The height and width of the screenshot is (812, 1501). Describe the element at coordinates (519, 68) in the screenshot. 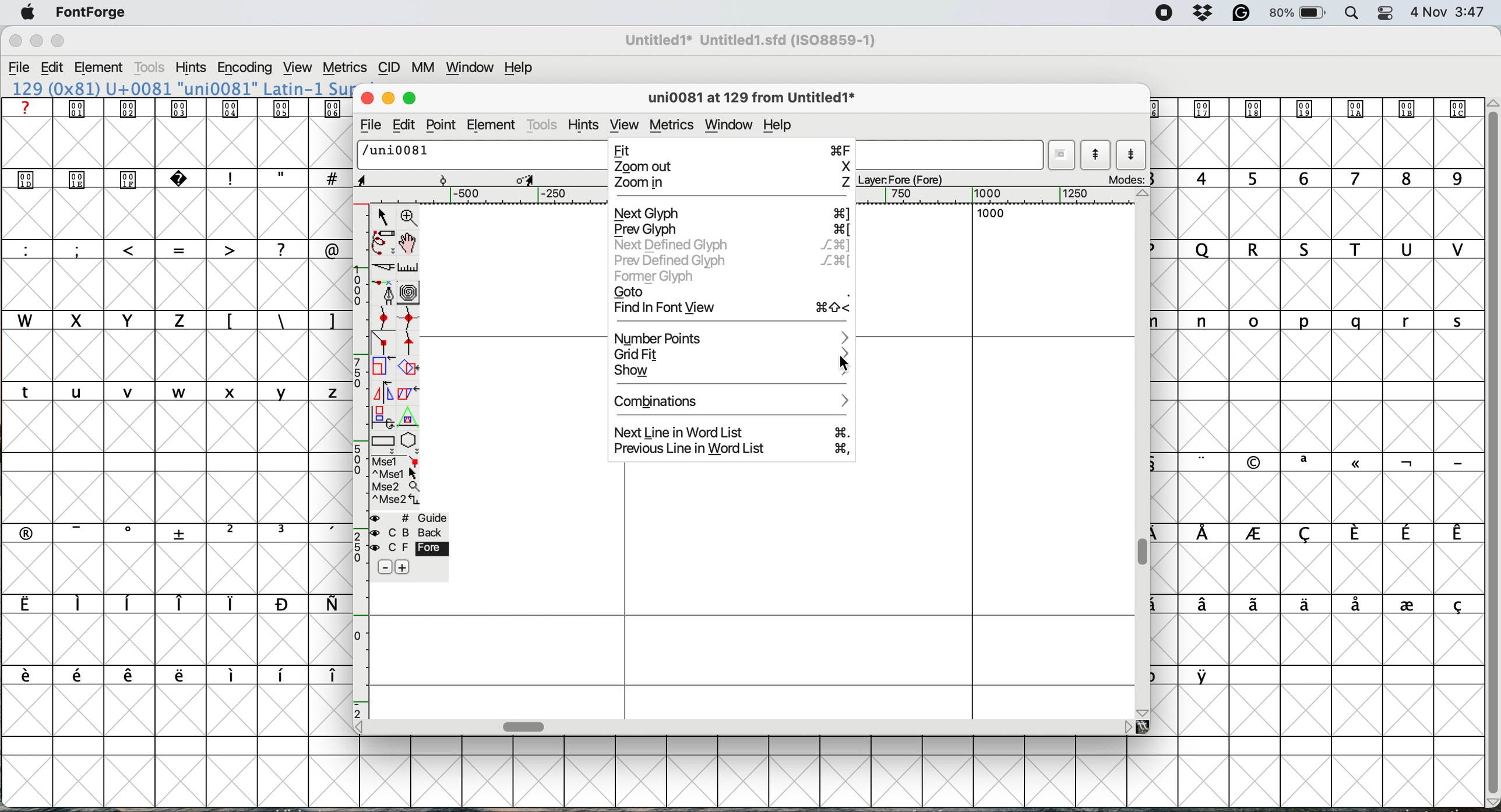

I see `Help` at that location.